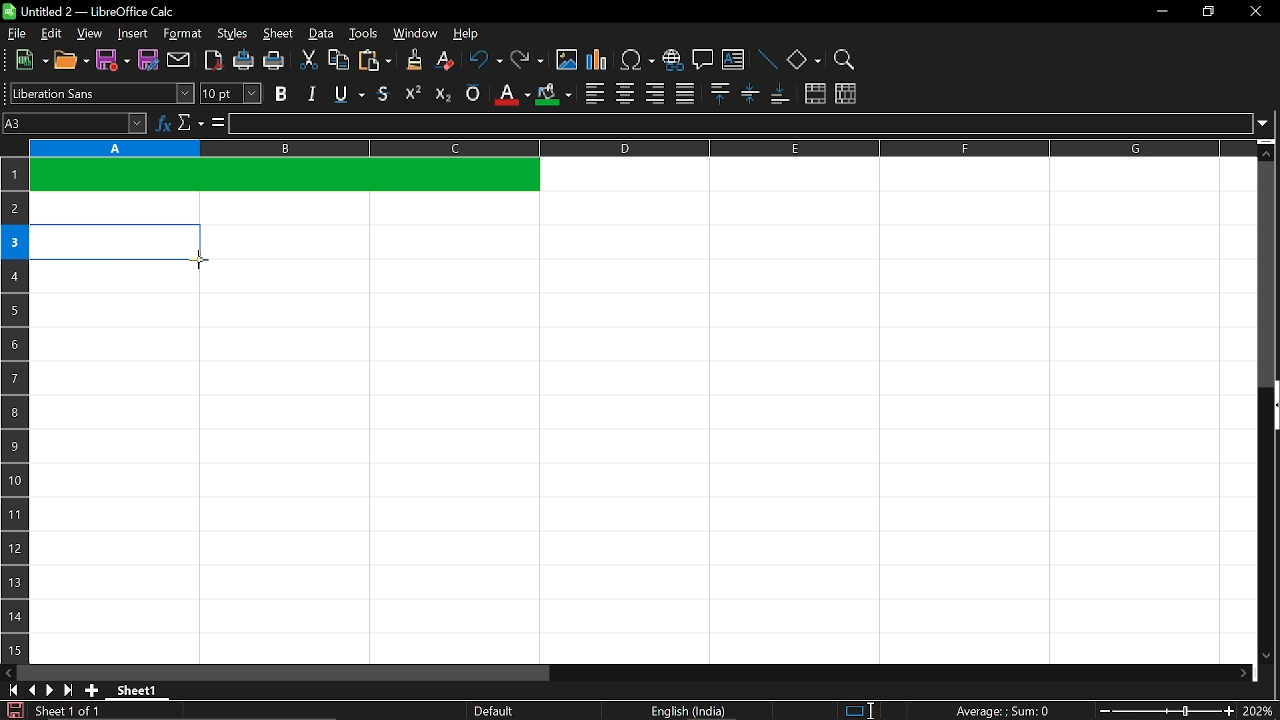  I want to click on insert chart, so click(598, 61).